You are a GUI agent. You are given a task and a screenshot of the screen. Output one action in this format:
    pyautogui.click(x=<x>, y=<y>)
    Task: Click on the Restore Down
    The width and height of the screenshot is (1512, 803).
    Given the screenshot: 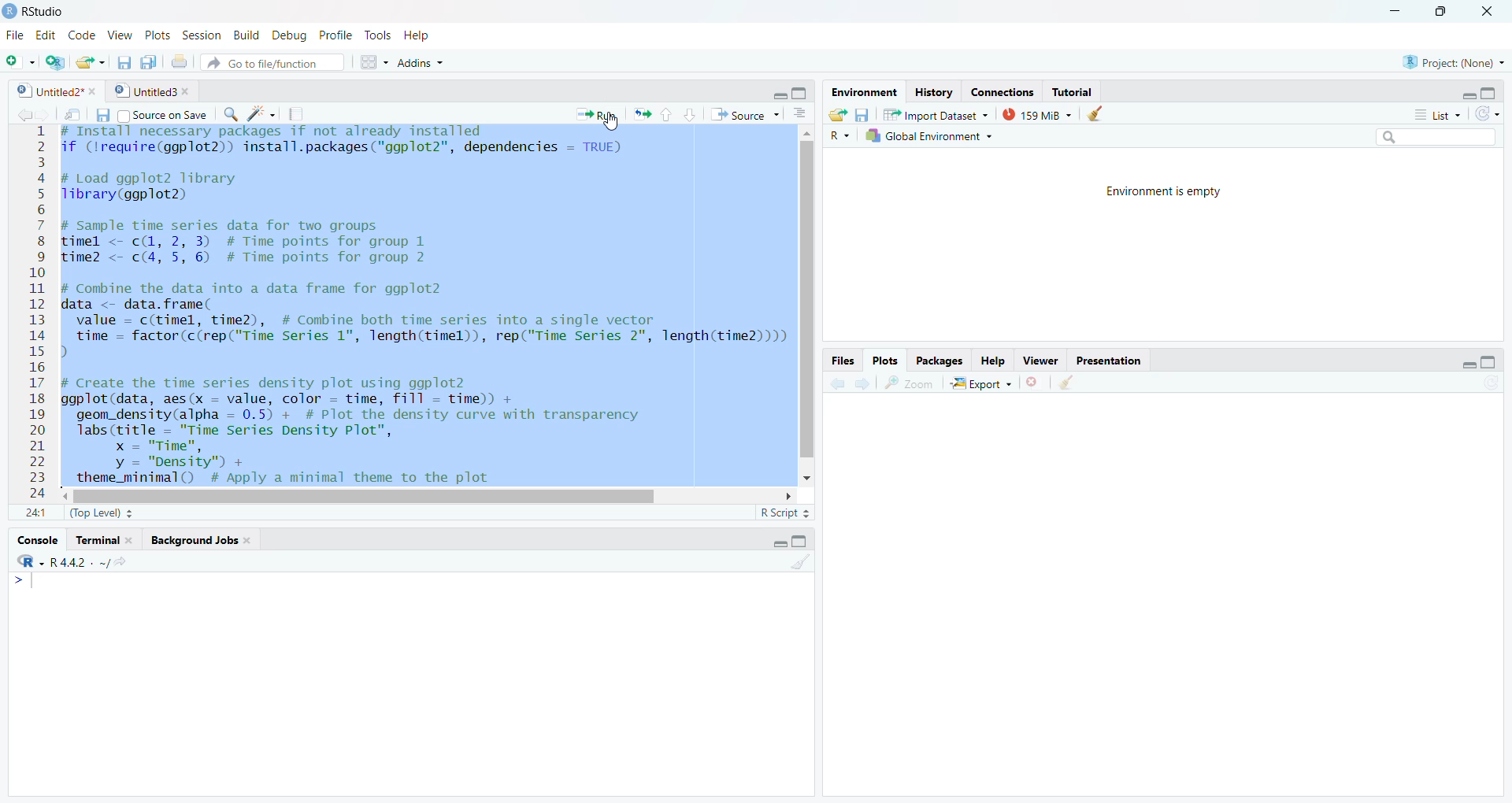 What is the action you would take?
    pyautogui.click(x=1440, y=12)
    